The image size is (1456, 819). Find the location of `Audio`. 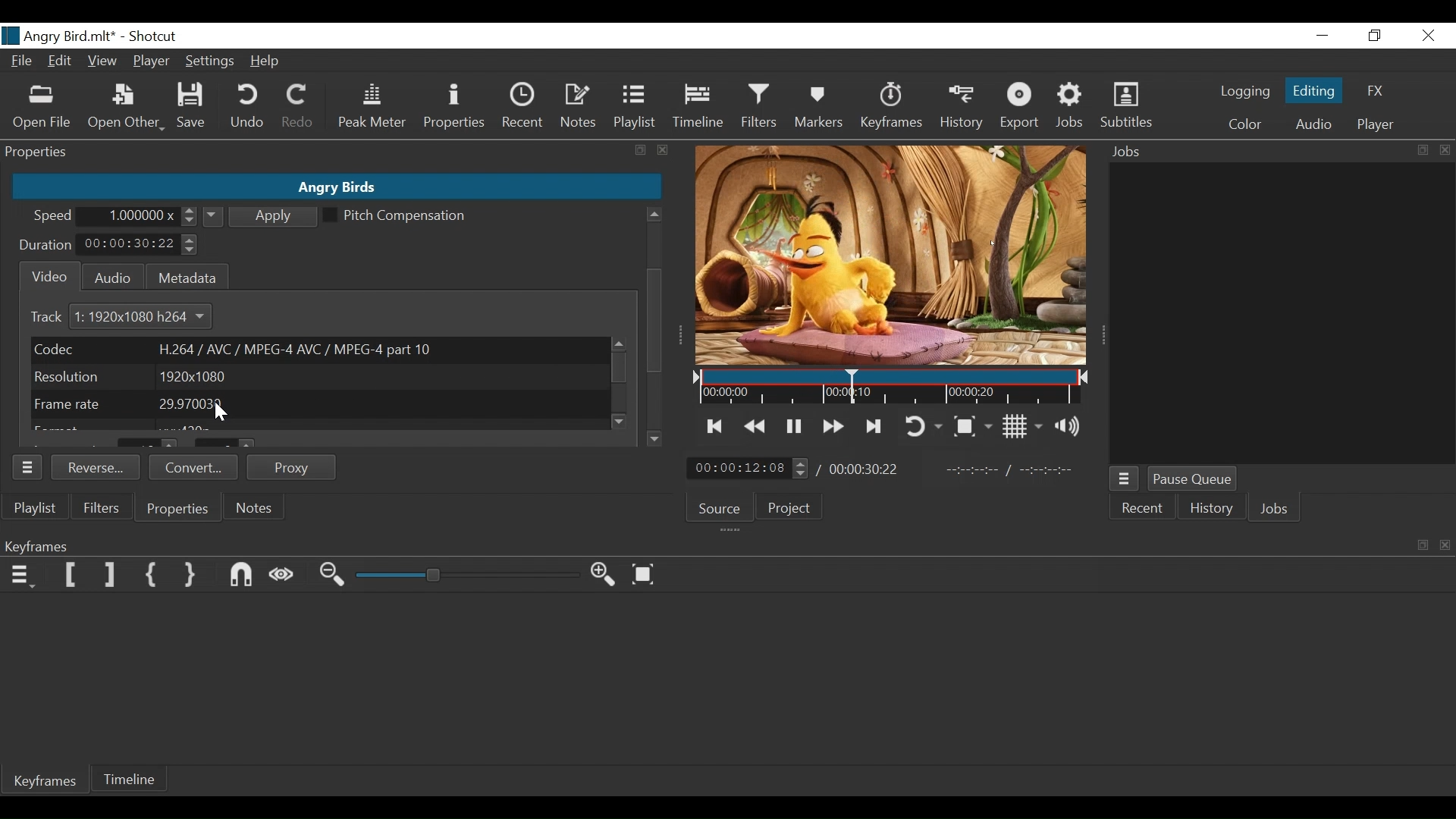

Audio is located at coordinates (1311, 124).